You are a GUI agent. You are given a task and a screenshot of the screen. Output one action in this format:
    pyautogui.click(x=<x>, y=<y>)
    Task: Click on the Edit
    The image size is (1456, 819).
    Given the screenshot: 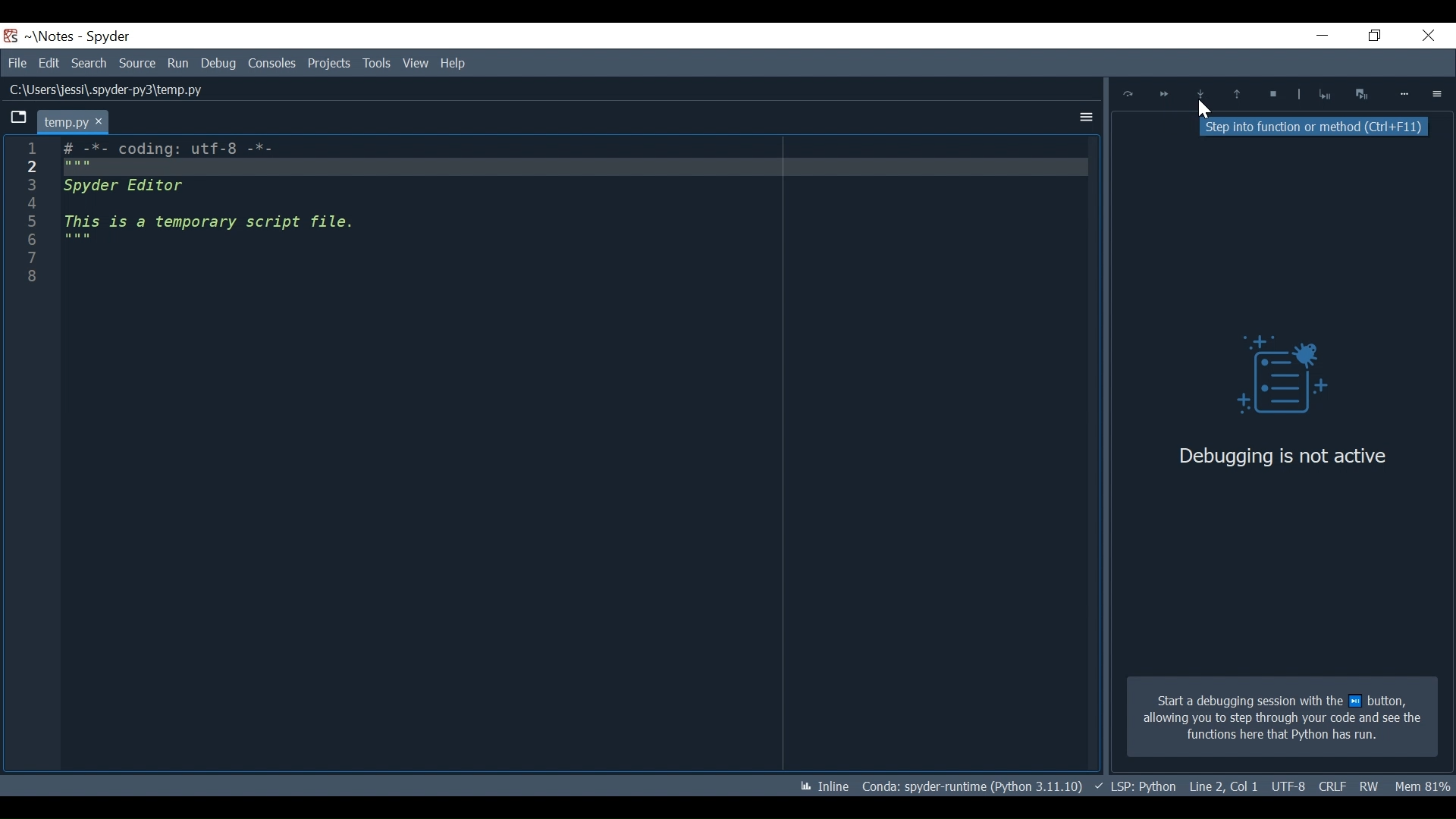 What is the action you would take?
    pyautogui.click(x=49, y=63)
    